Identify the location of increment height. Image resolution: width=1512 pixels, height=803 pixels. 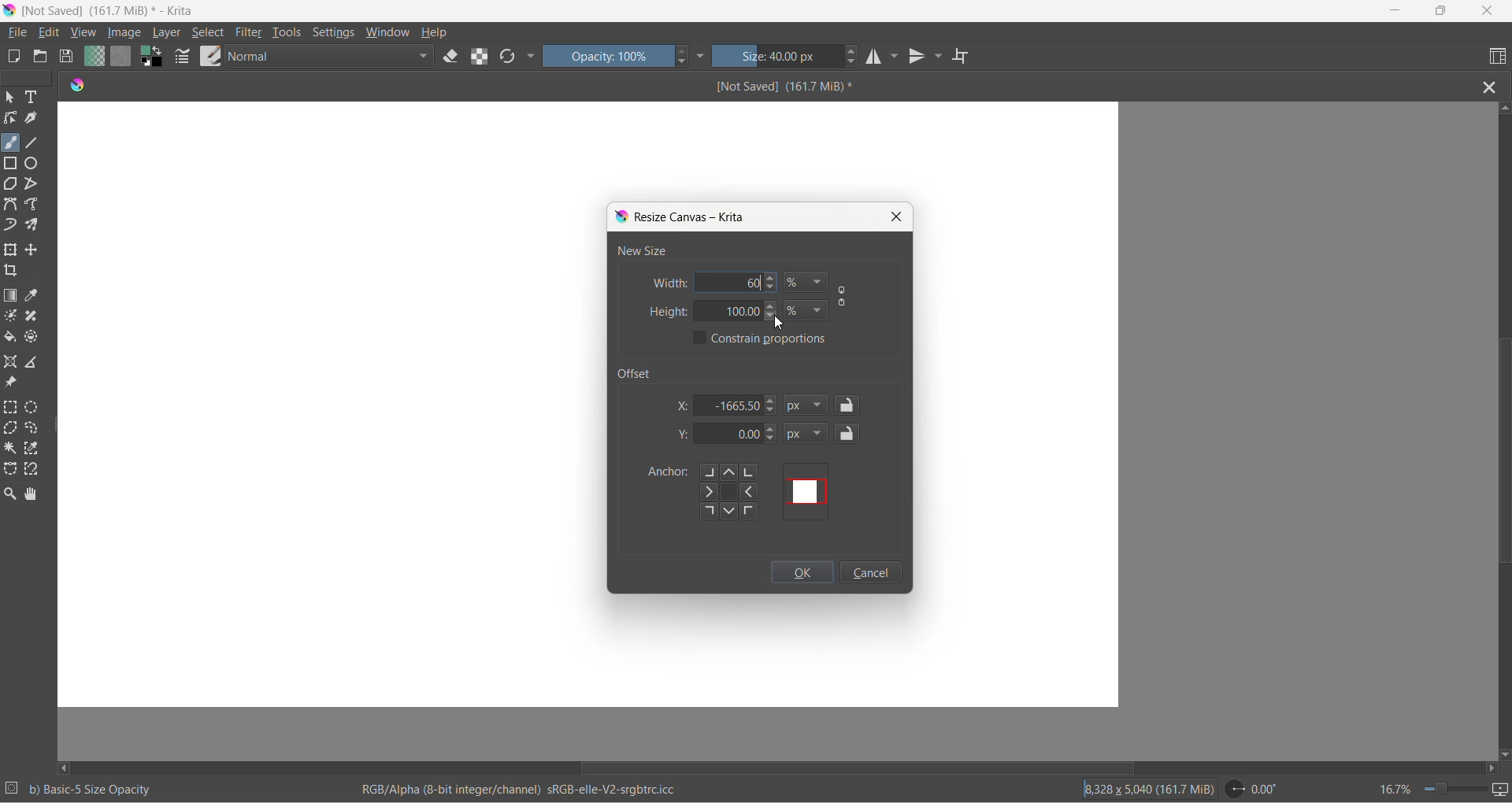
(773, 306).